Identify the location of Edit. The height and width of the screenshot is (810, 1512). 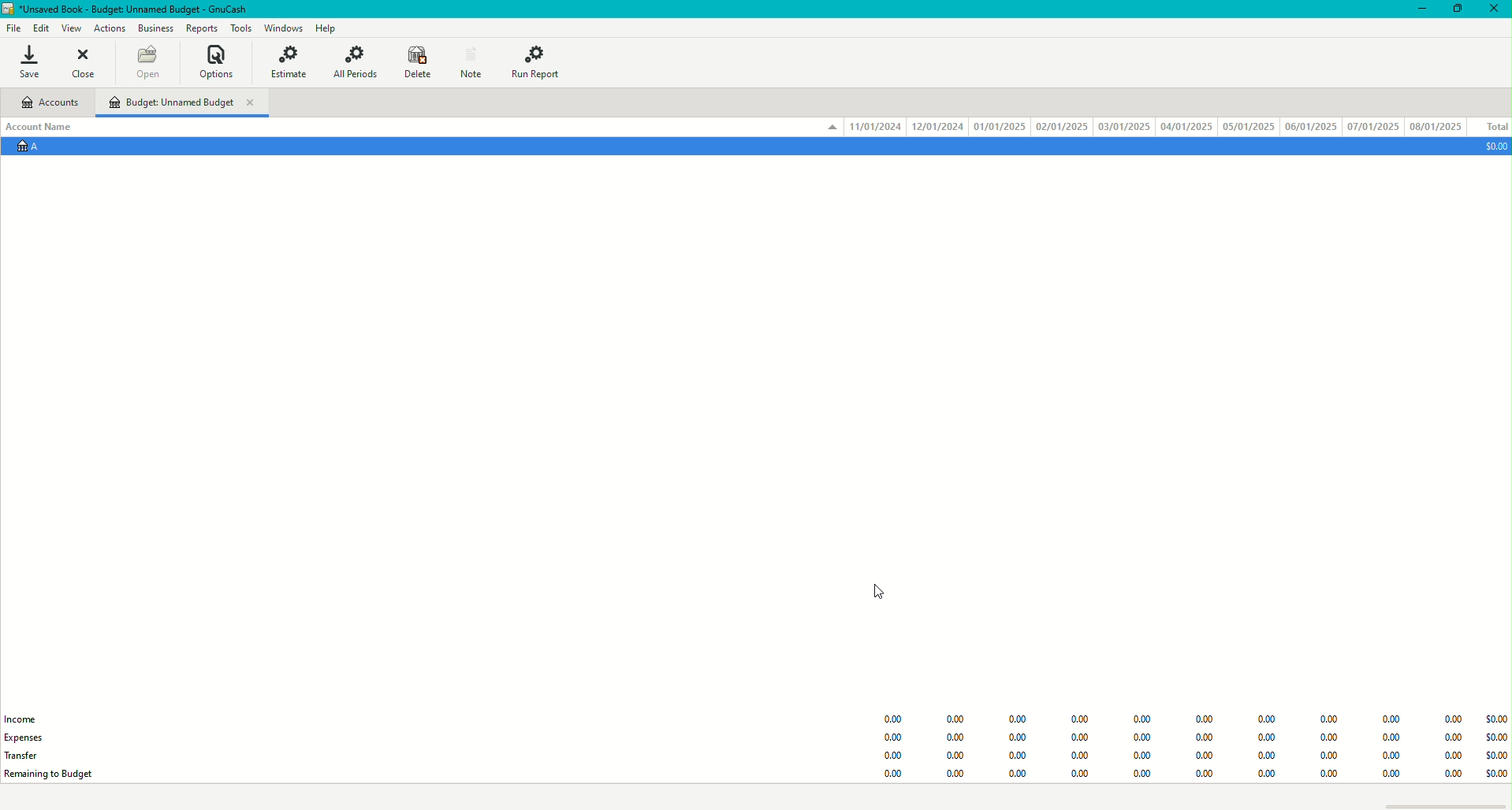
(41, 28).